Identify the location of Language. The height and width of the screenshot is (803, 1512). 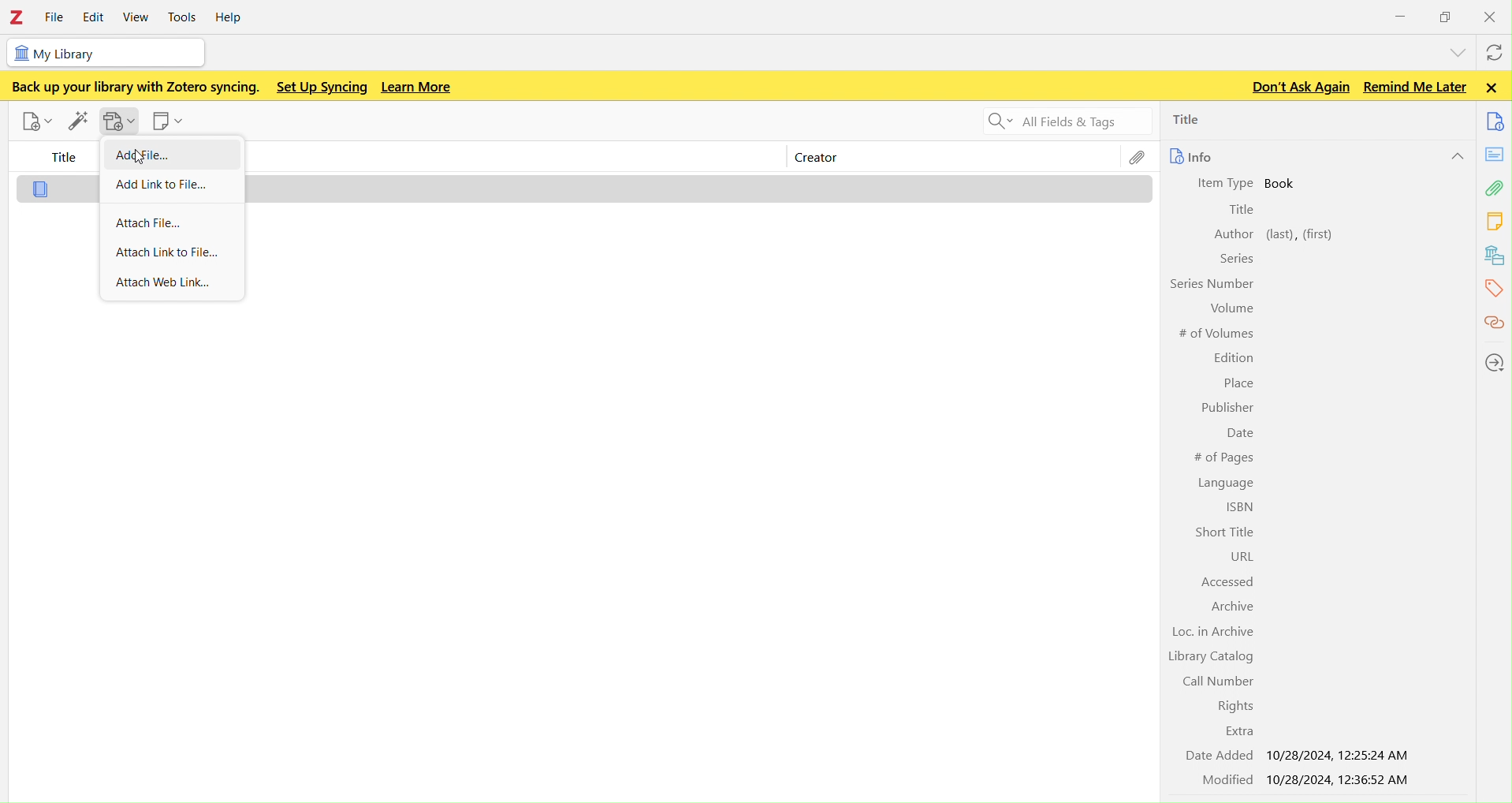
(1226, 483).